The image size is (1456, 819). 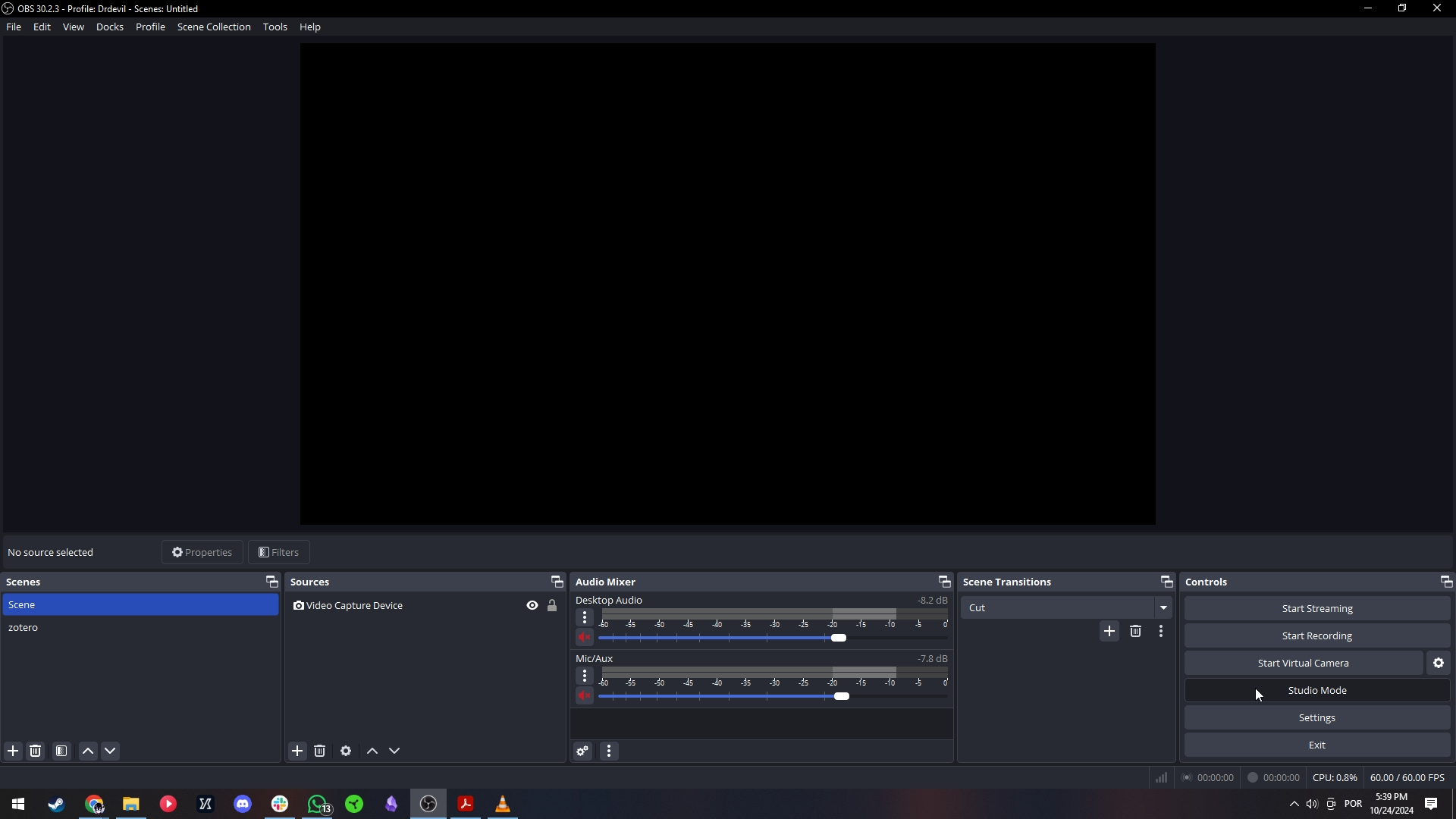 What do you see at coordinates (36, 752) in the screenshot?
I see `Remove scene` at bounding box center [36, 752].